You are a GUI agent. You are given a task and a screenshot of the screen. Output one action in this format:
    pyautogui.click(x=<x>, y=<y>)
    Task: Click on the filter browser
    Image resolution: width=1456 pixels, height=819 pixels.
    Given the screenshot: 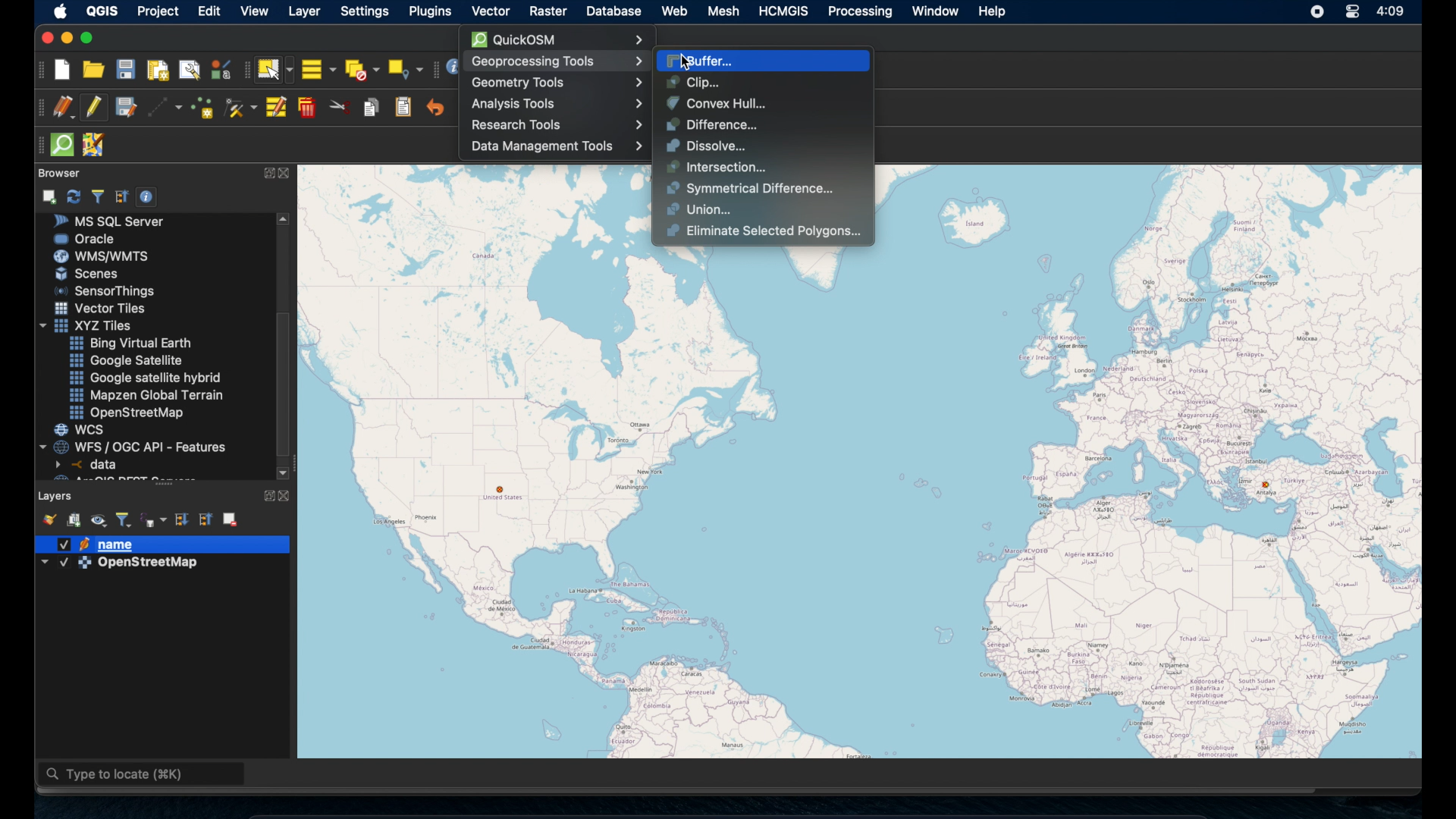 What is the action you would take?
    pyautogui.click(x=97, y=196)
    